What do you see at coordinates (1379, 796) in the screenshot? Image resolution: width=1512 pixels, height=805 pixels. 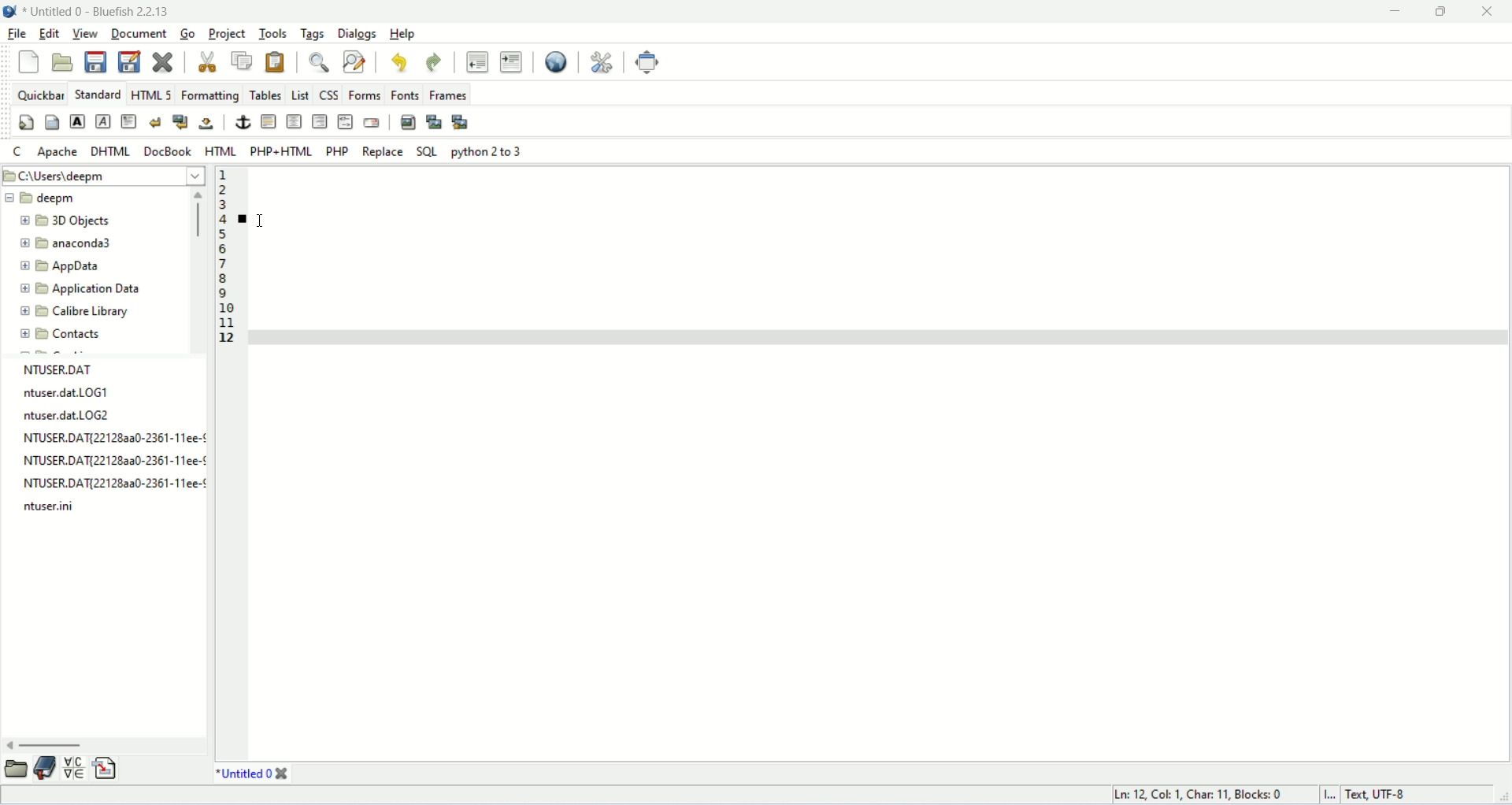 I see `text, UTF-8` at bounding box center [1379, 796].